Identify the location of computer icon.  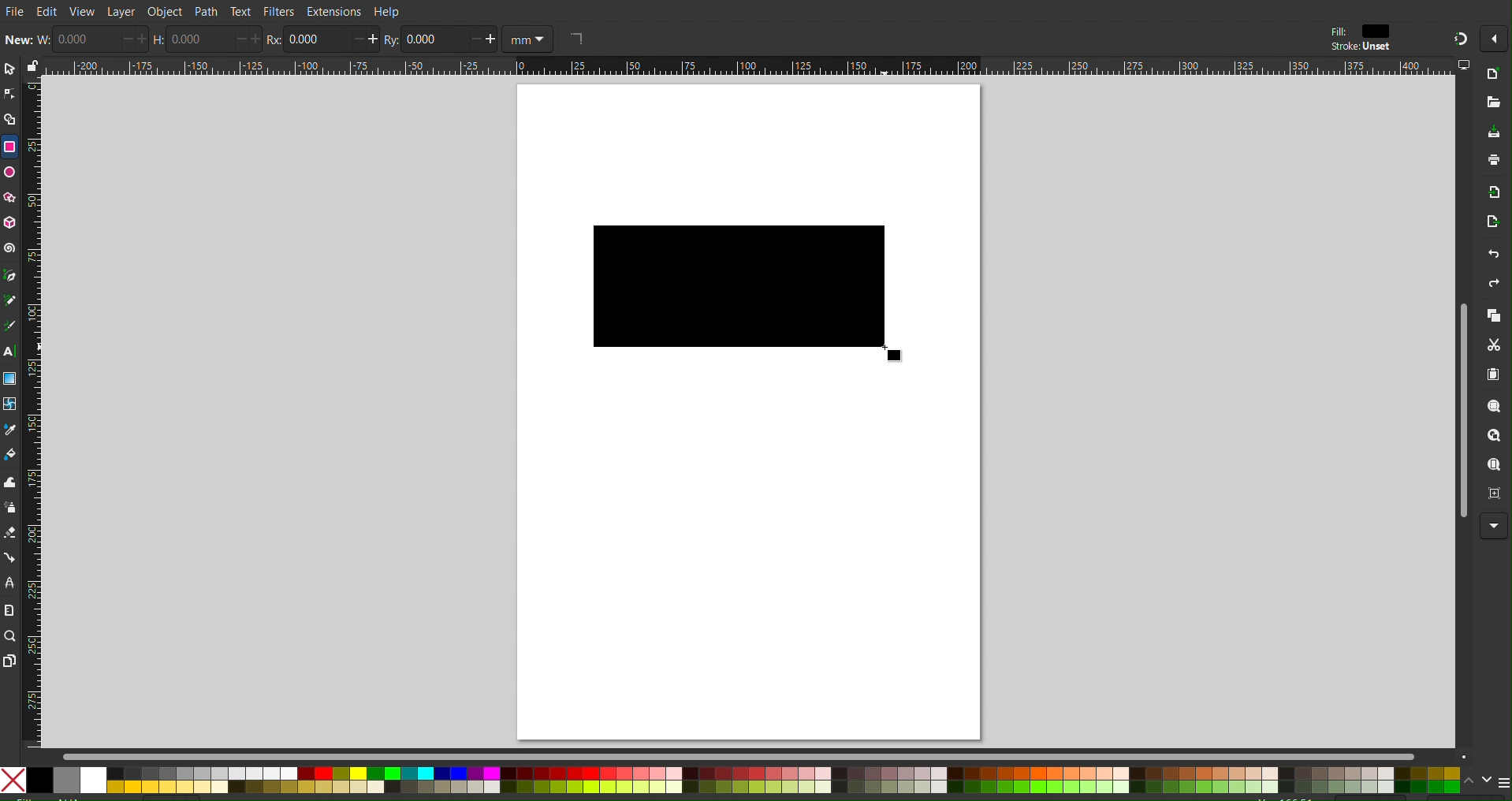
(1464, 65).